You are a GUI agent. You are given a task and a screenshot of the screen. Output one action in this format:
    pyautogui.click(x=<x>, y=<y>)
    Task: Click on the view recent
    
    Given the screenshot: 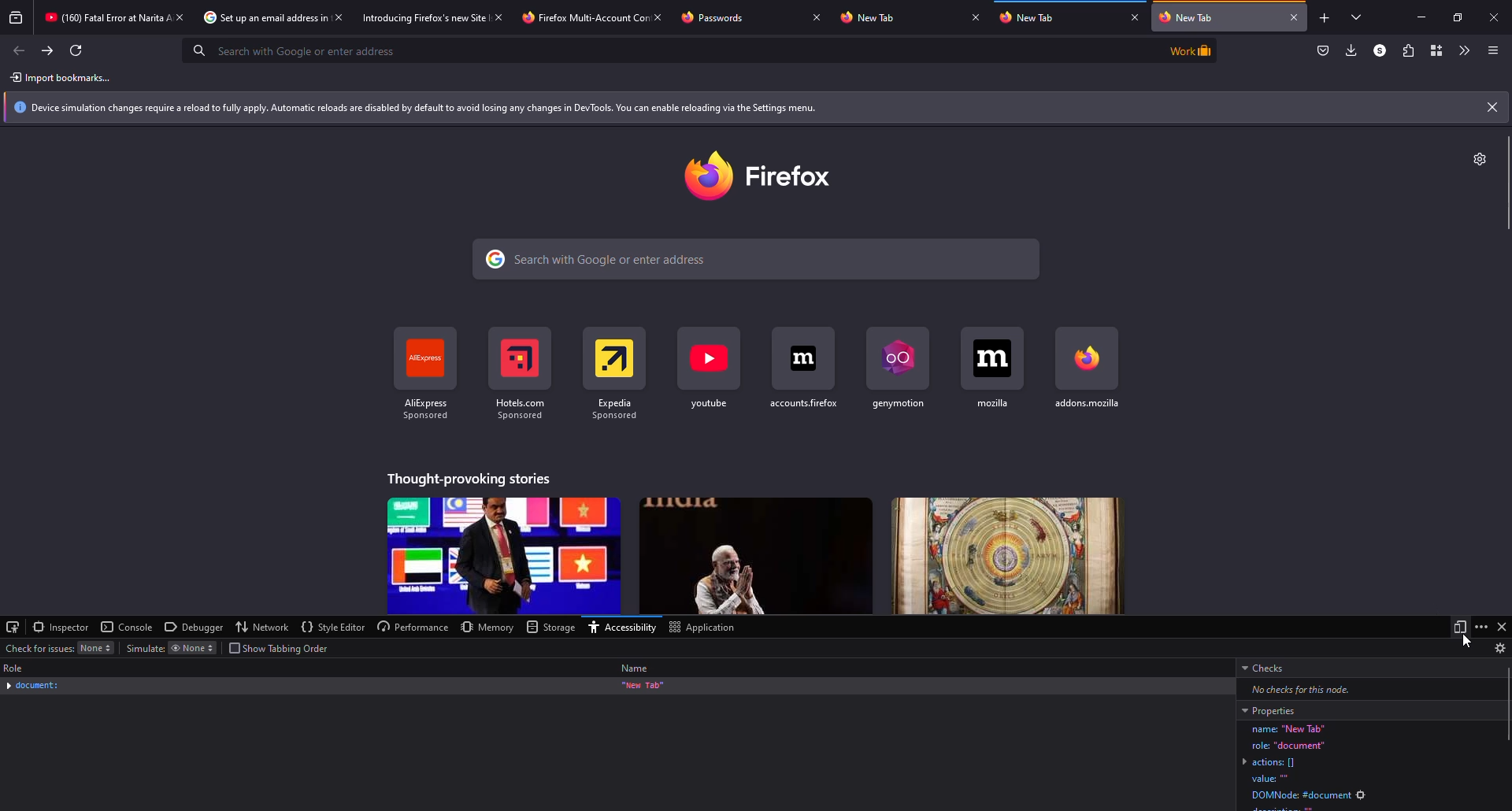 What is the action you would take?
    pyautogui.click(x=16, y=17)
    